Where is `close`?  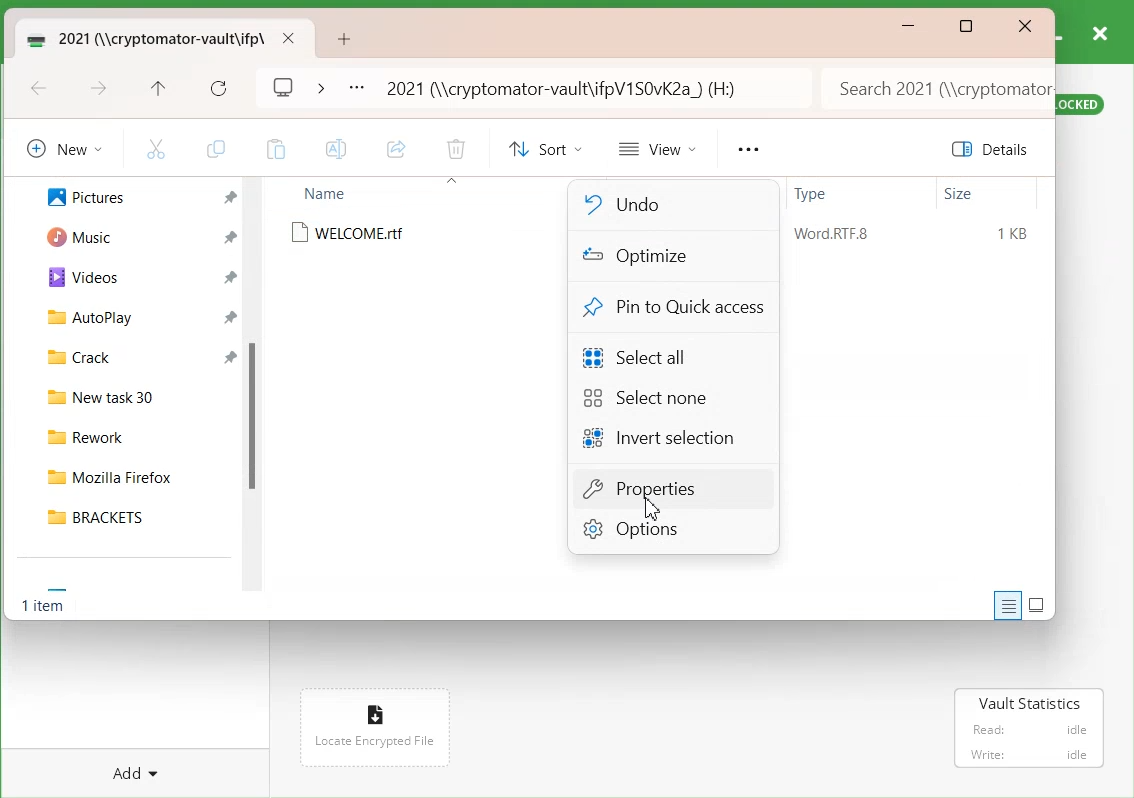 close is located at coordinates (1099, 32).